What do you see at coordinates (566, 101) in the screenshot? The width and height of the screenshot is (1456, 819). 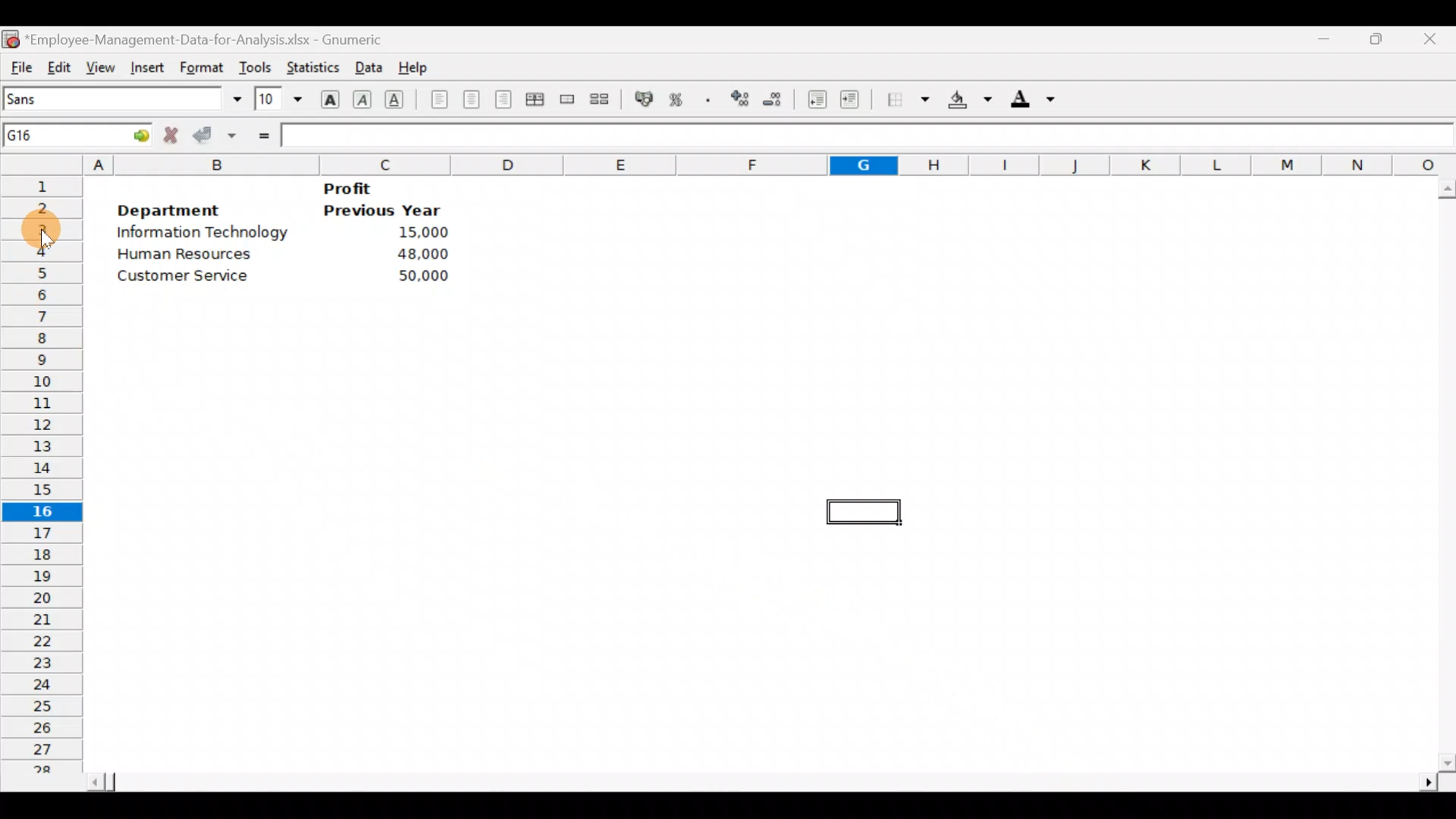 I see `Merge a range of cells` at bounding box center [566, 101].